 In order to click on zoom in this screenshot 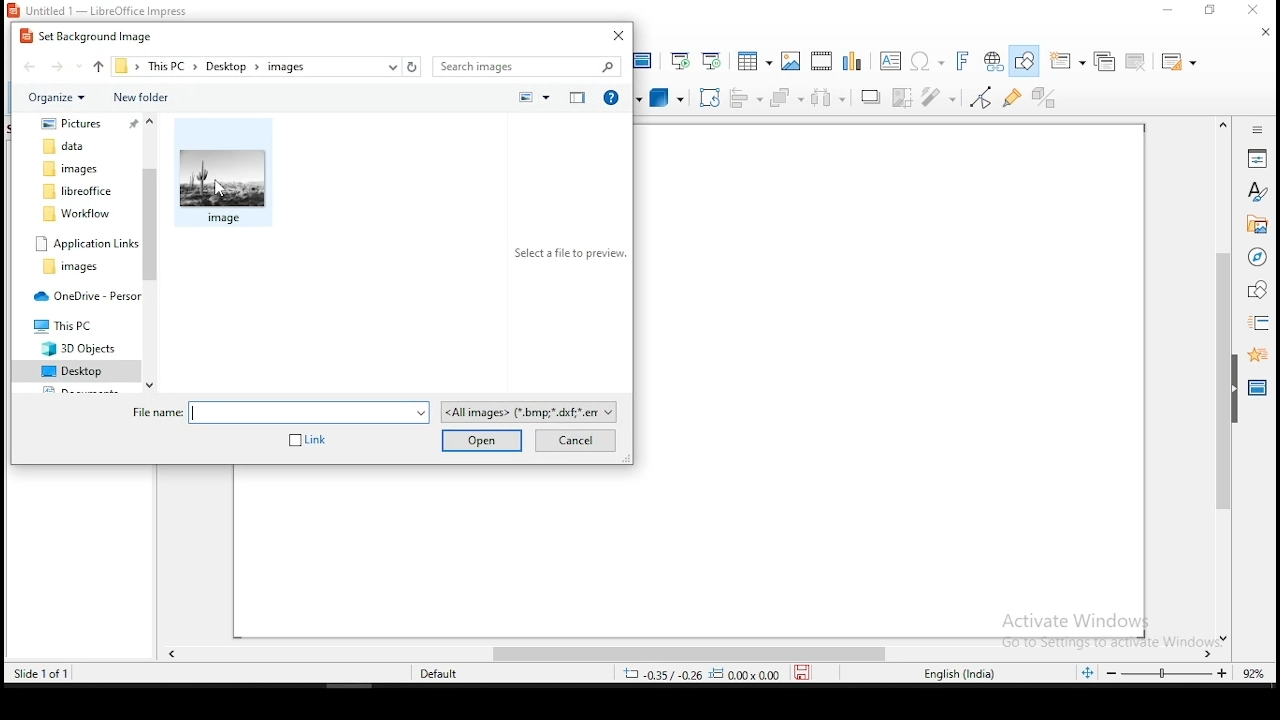, I will do `click(1168, 674)`.